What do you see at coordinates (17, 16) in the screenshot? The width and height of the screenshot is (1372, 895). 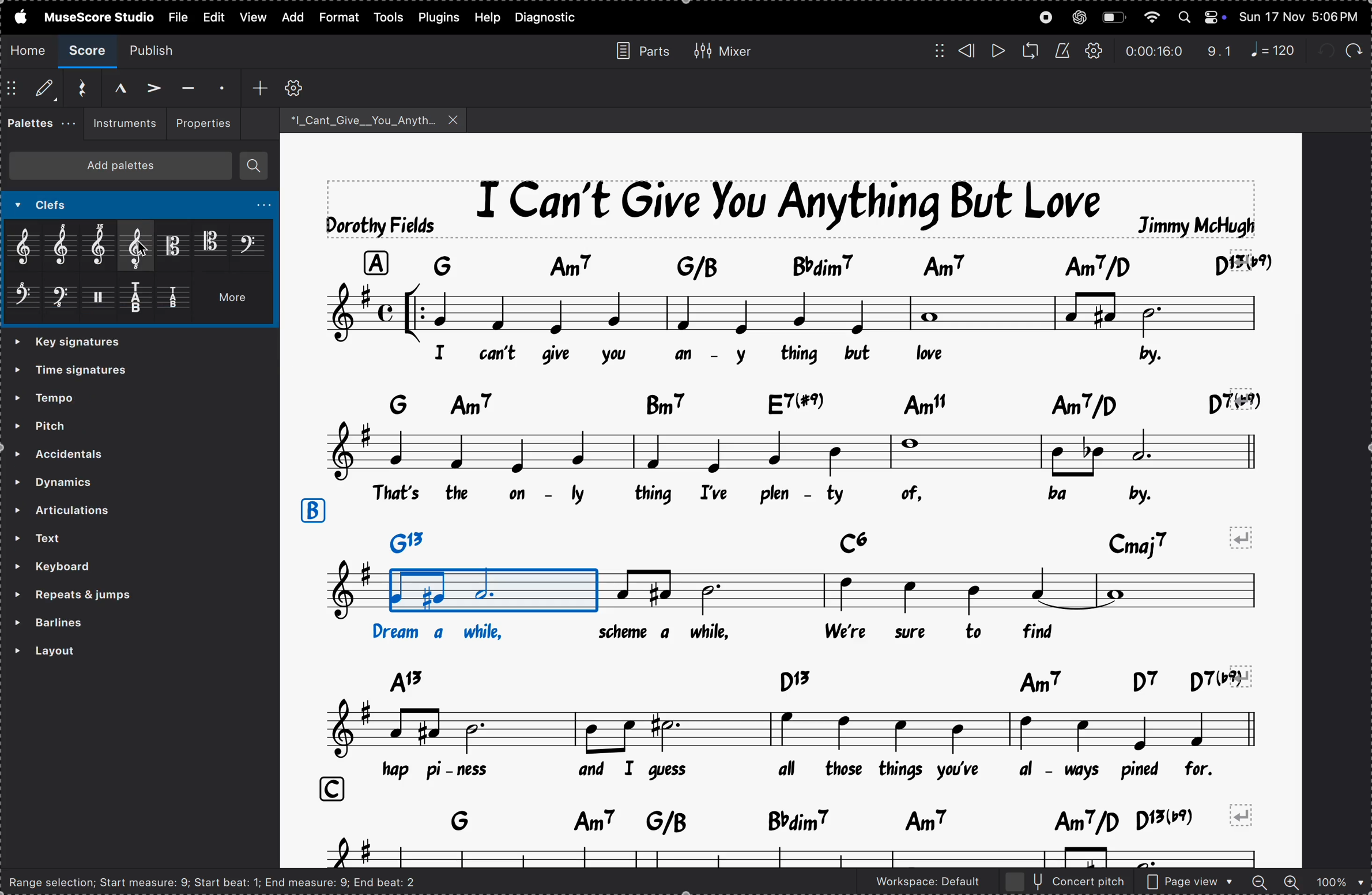 I see `apple menu` at bounding box center [17, 16].